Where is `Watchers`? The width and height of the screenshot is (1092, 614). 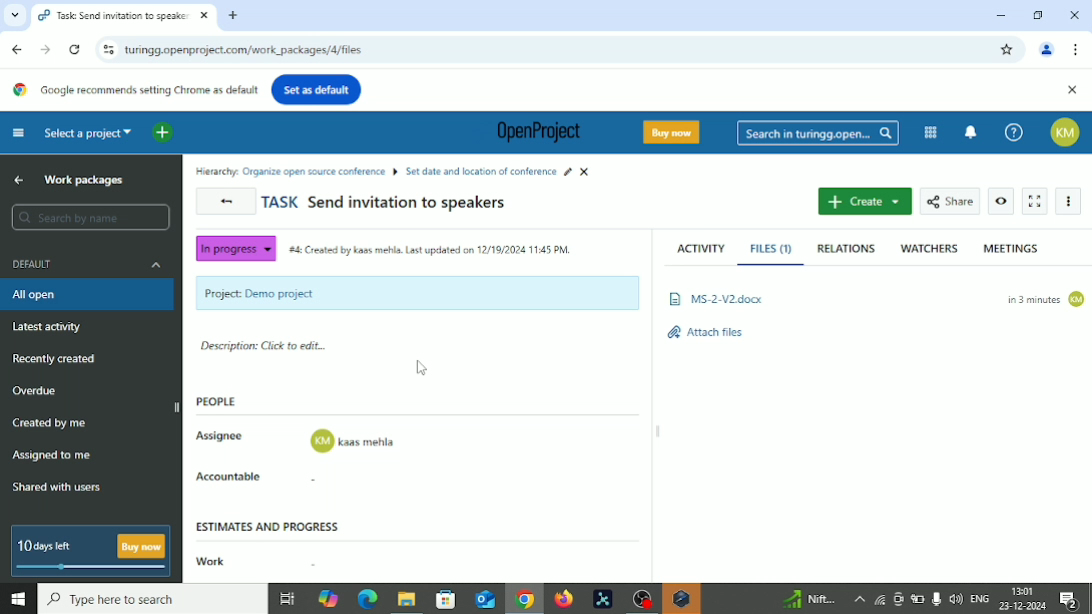
Watchers is located at coordinates (929, 249).